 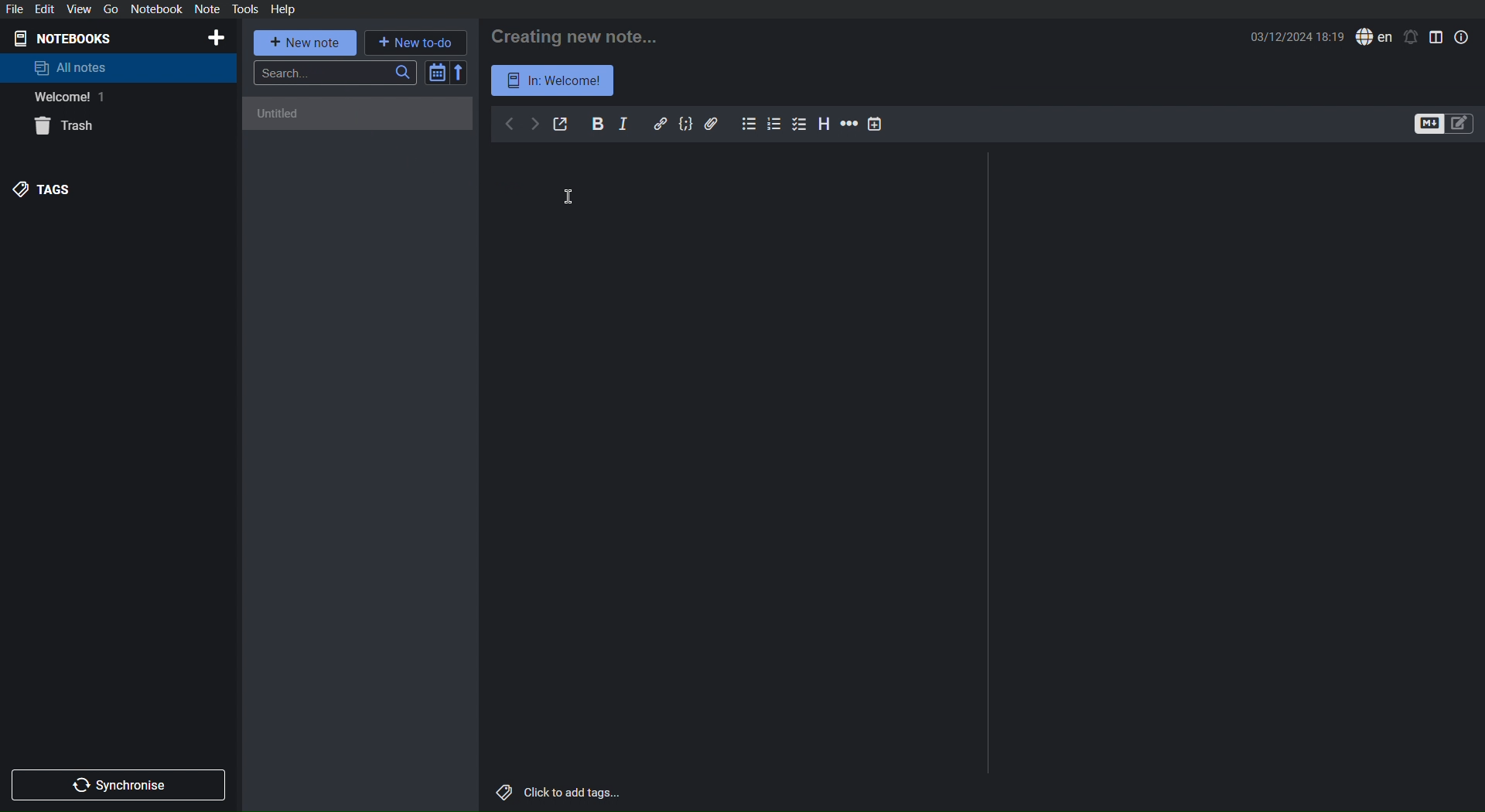 What do you see at coordinates (749, 123) in the screenshot?
I see `` at bounding box center [749, 123].